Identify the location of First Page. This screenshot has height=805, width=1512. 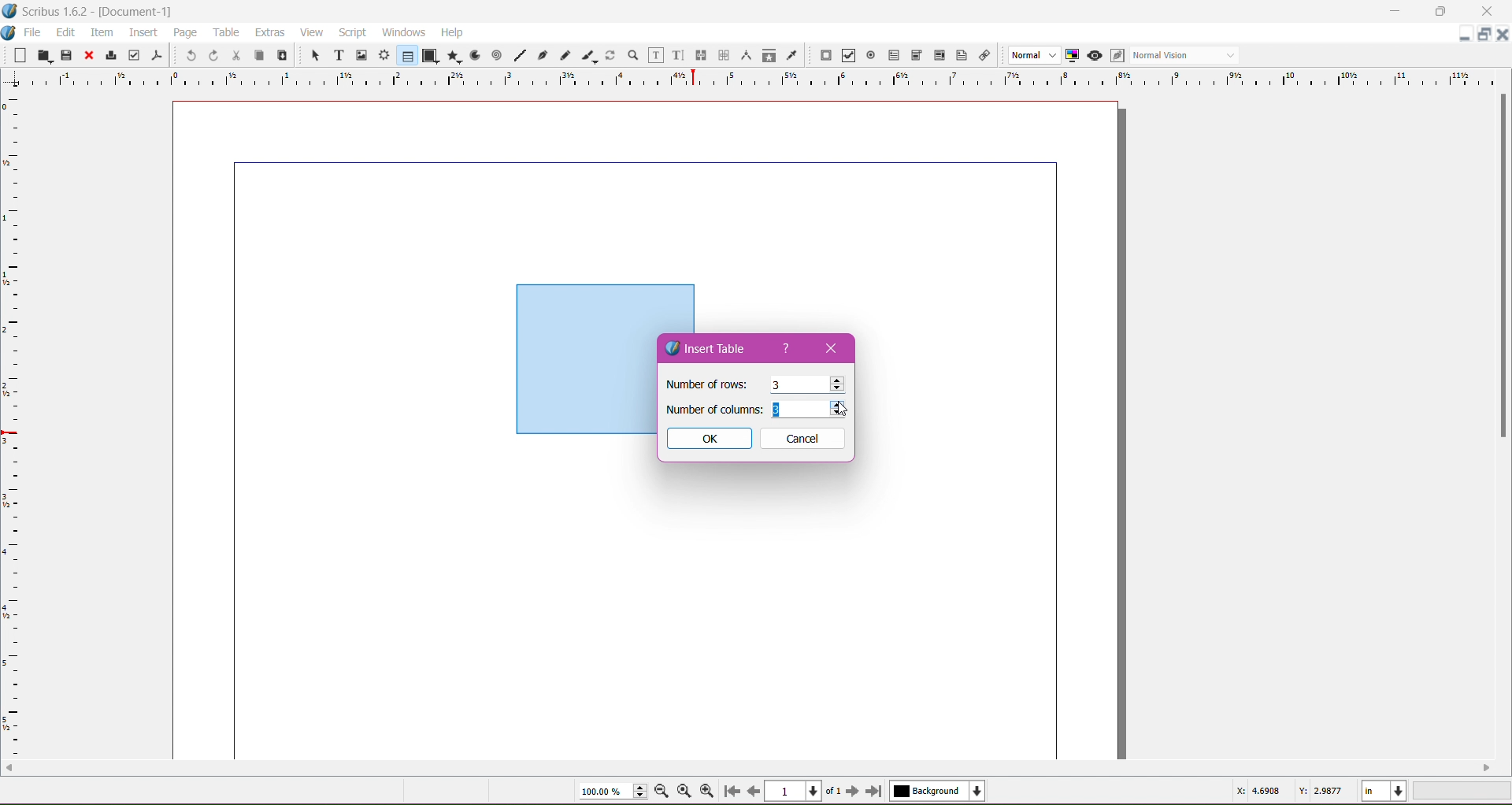
(731, 793).